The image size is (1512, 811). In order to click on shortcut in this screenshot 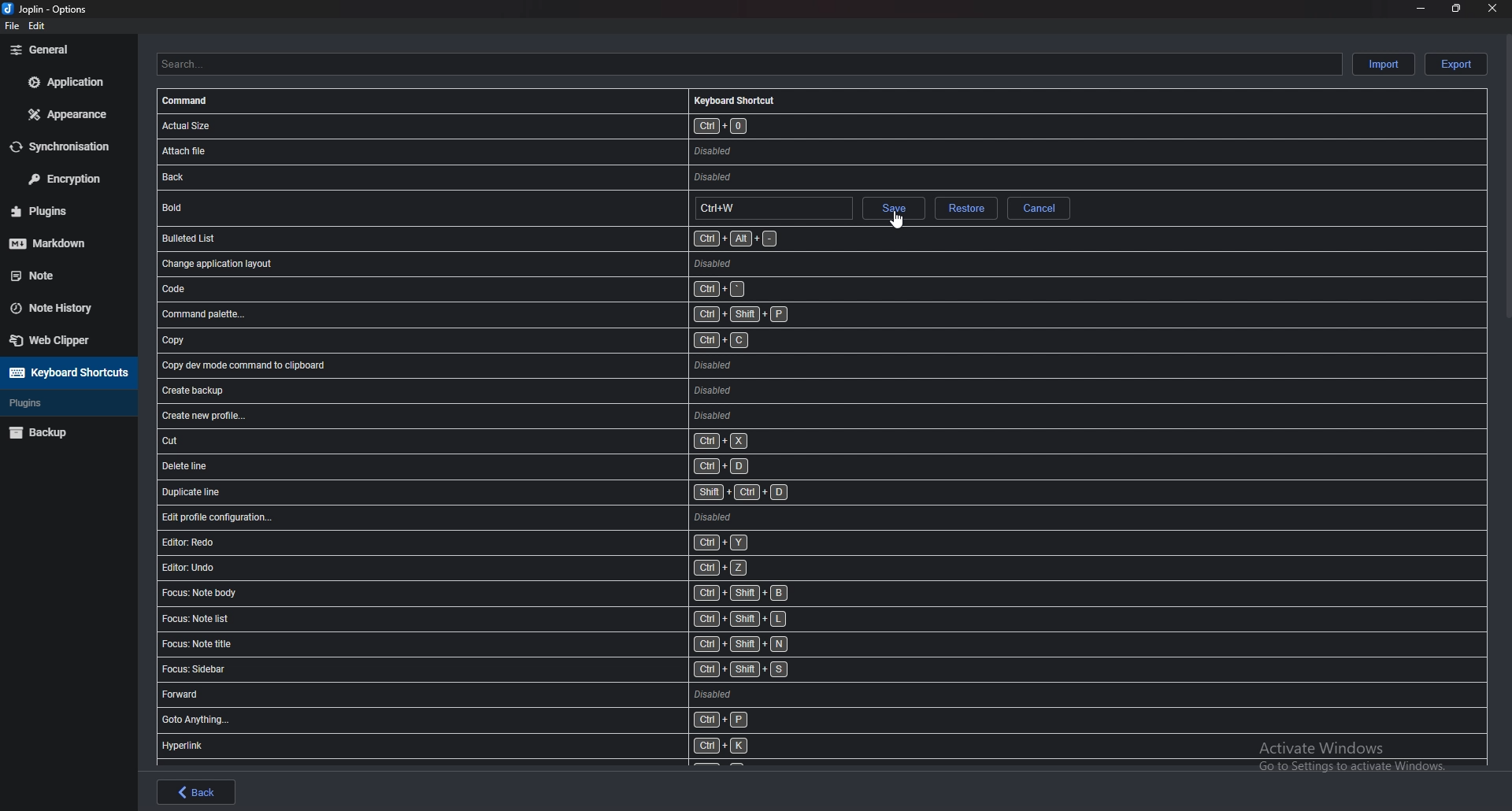, I will do `click(521, 696)`.